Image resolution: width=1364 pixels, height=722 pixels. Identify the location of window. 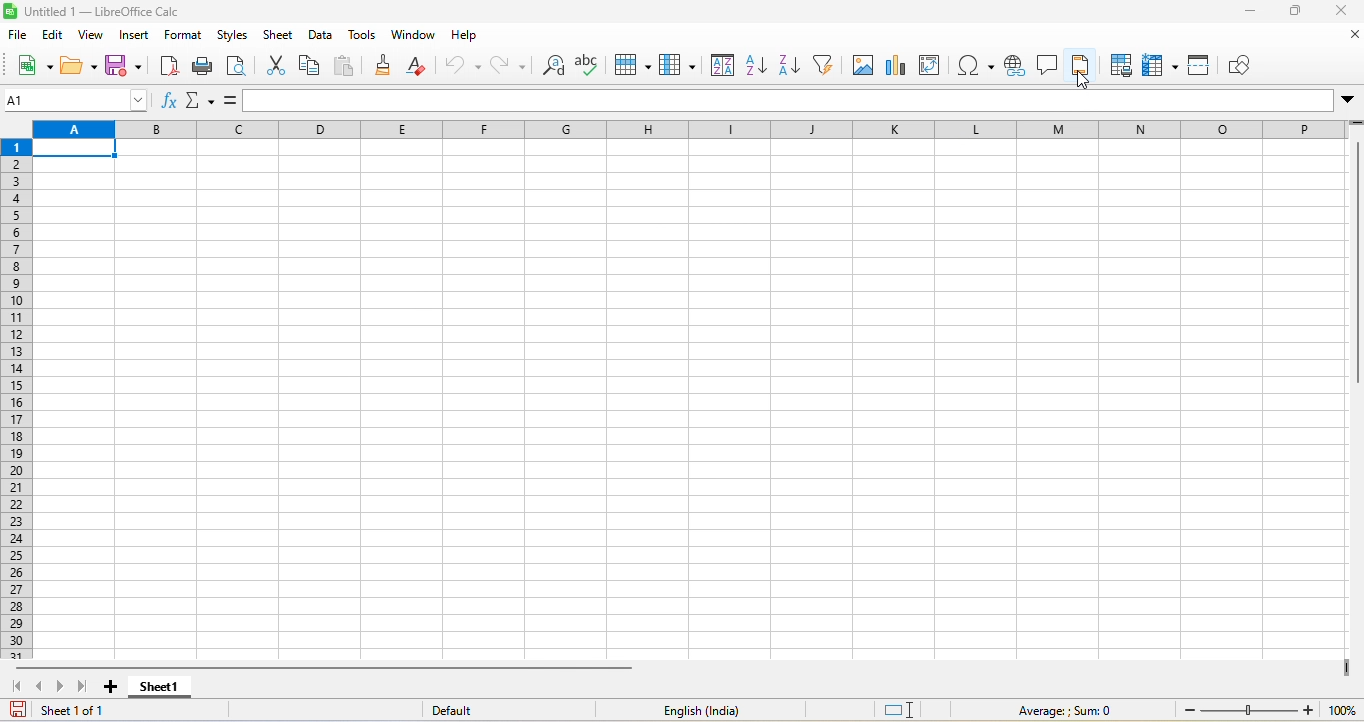
(410, 38).